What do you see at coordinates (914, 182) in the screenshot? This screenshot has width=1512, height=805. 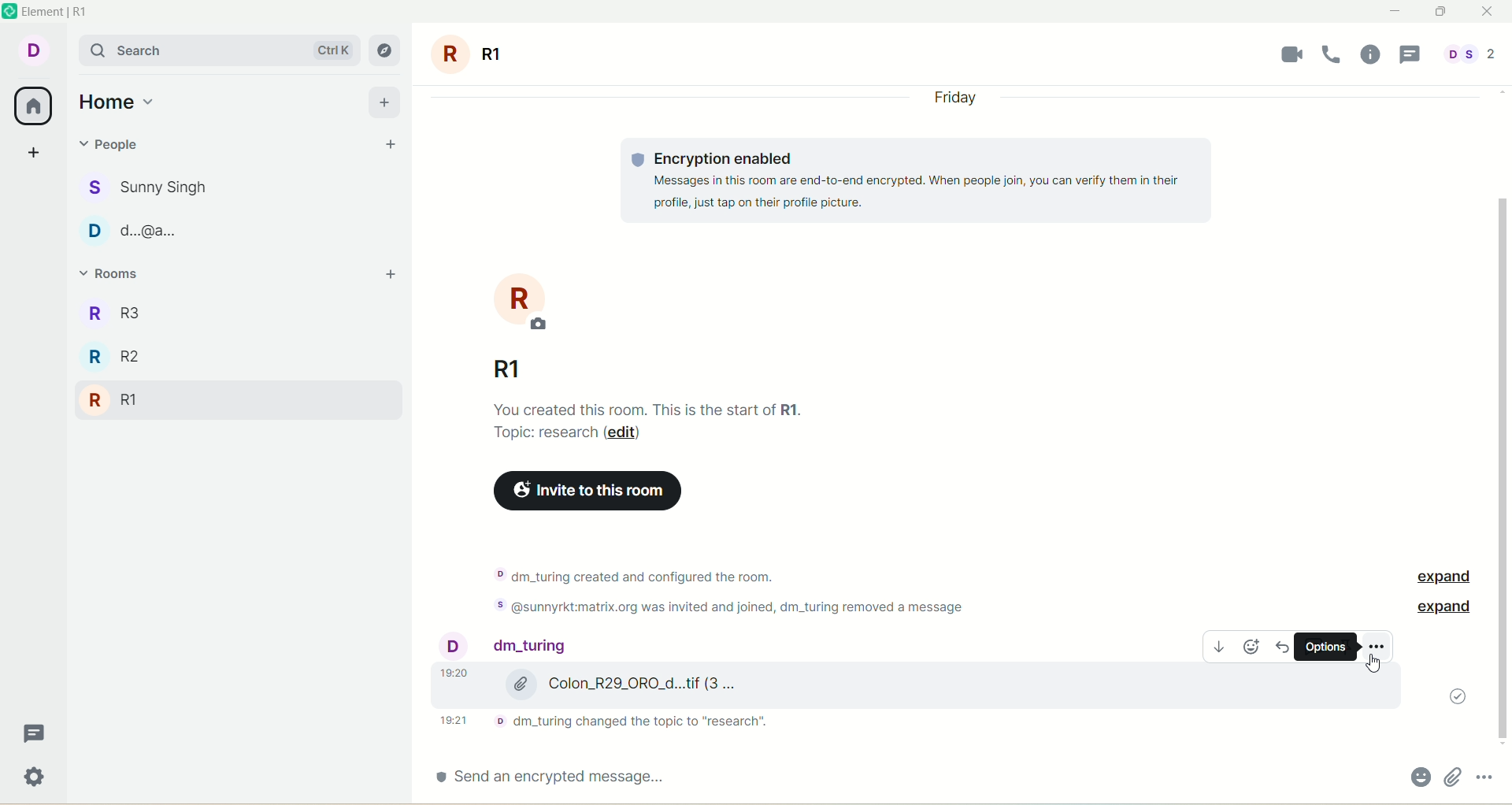 I see `text` at bounding box center [914, 182].